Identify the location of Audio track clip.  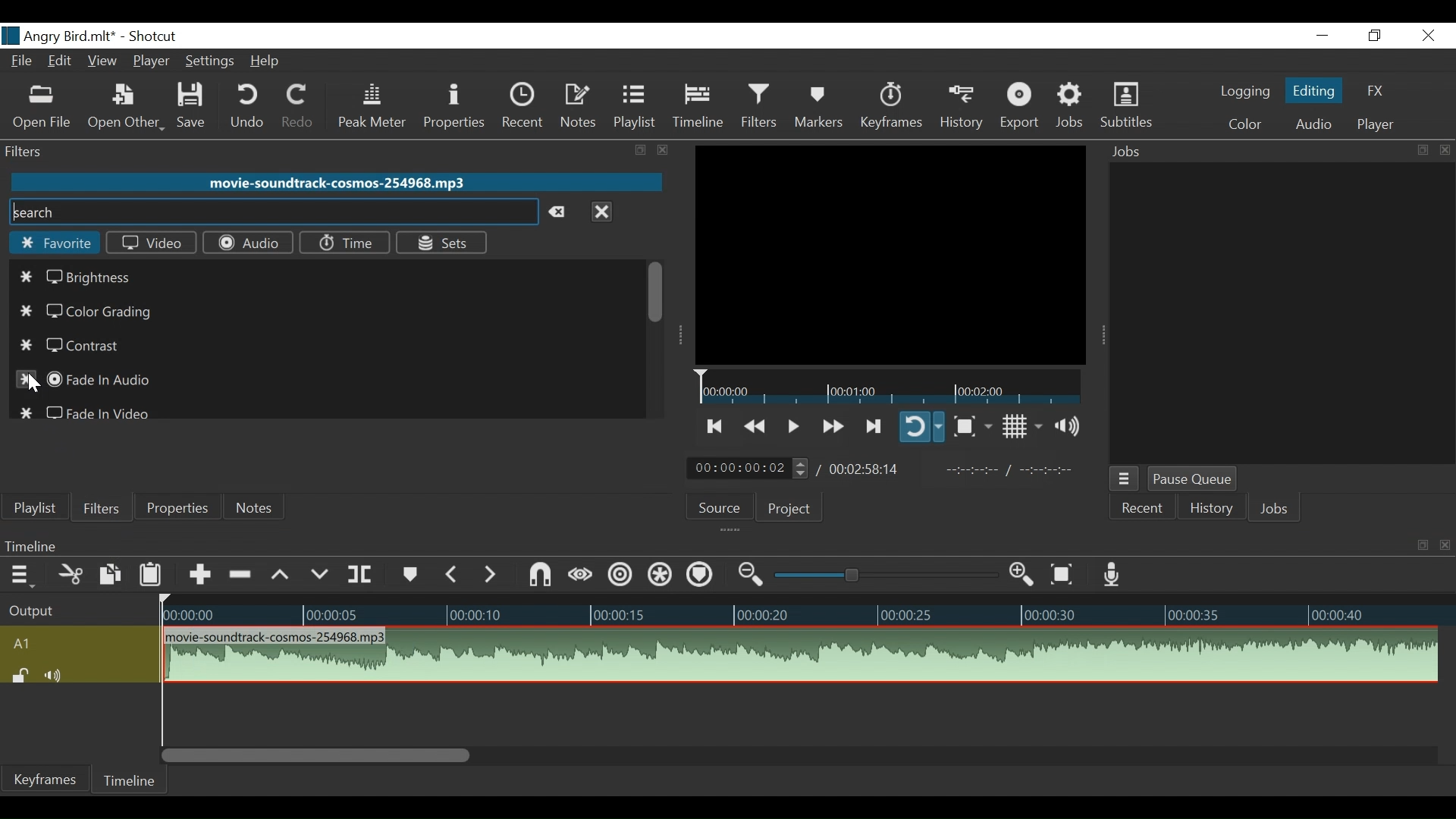
(799, 655).